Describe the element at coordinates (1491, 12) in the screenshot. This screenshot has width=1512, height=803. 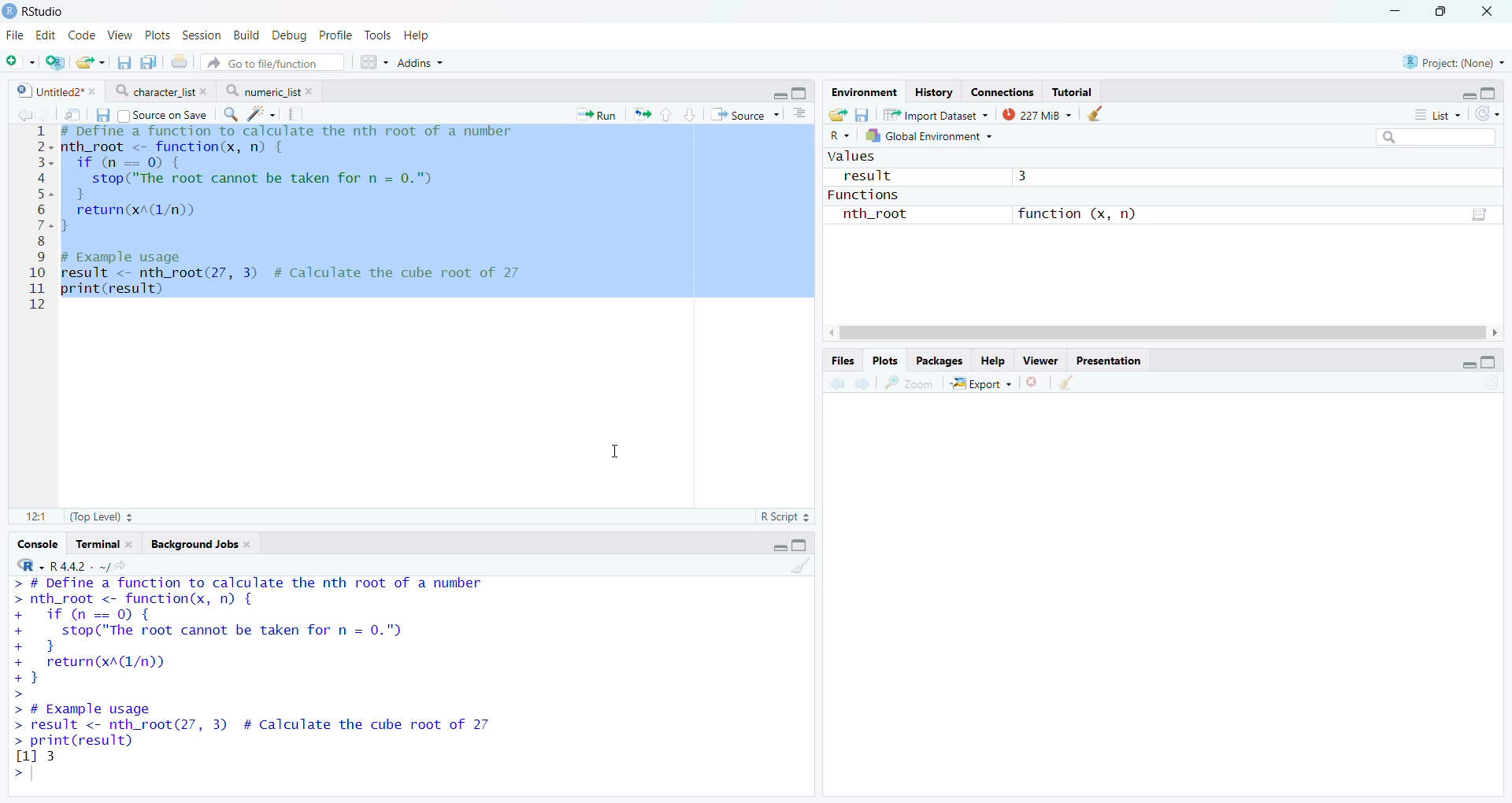
I see `Close` at that location.